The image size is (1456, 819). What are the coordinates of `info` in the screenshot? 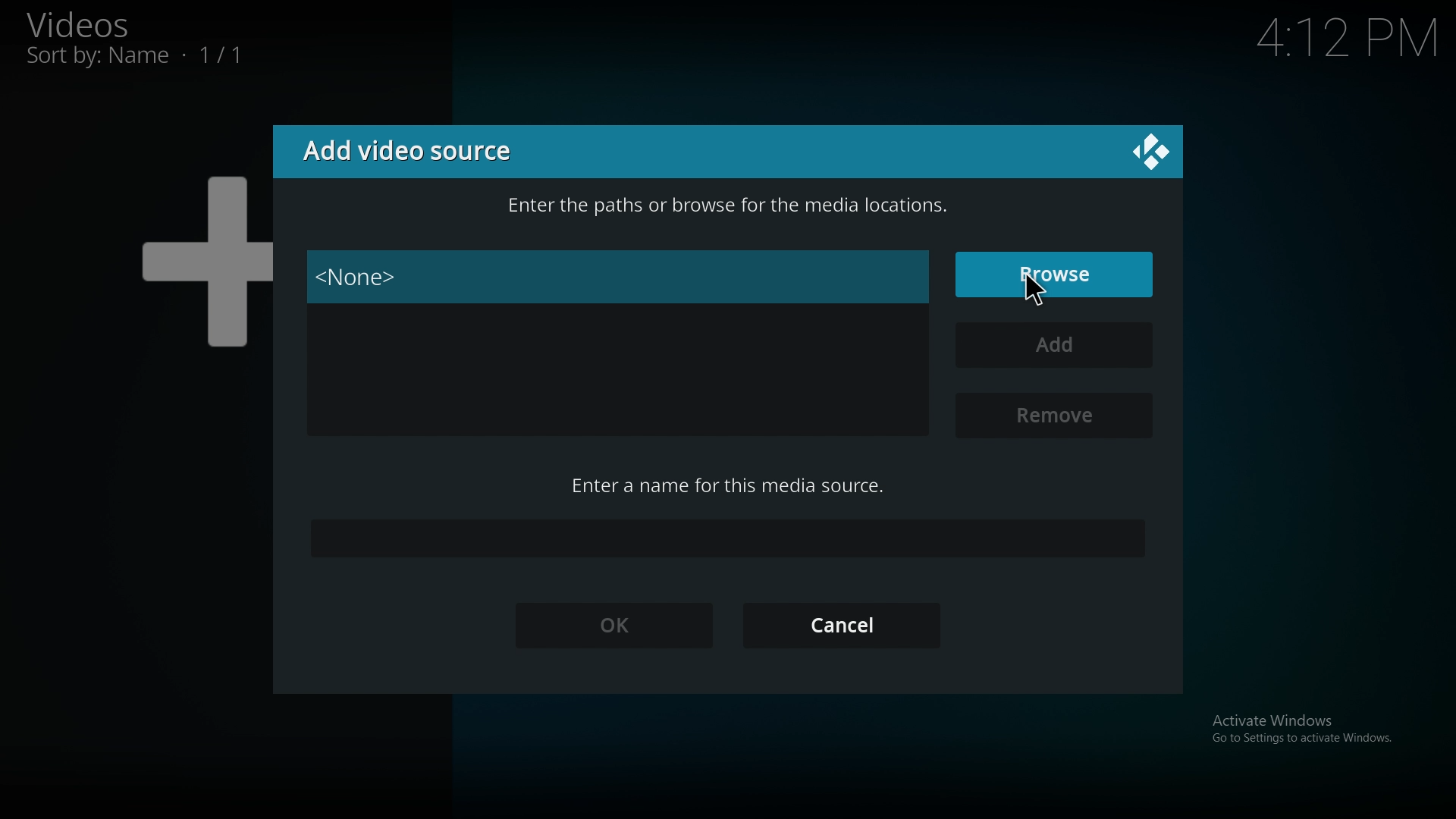 It's located at (733, 205).